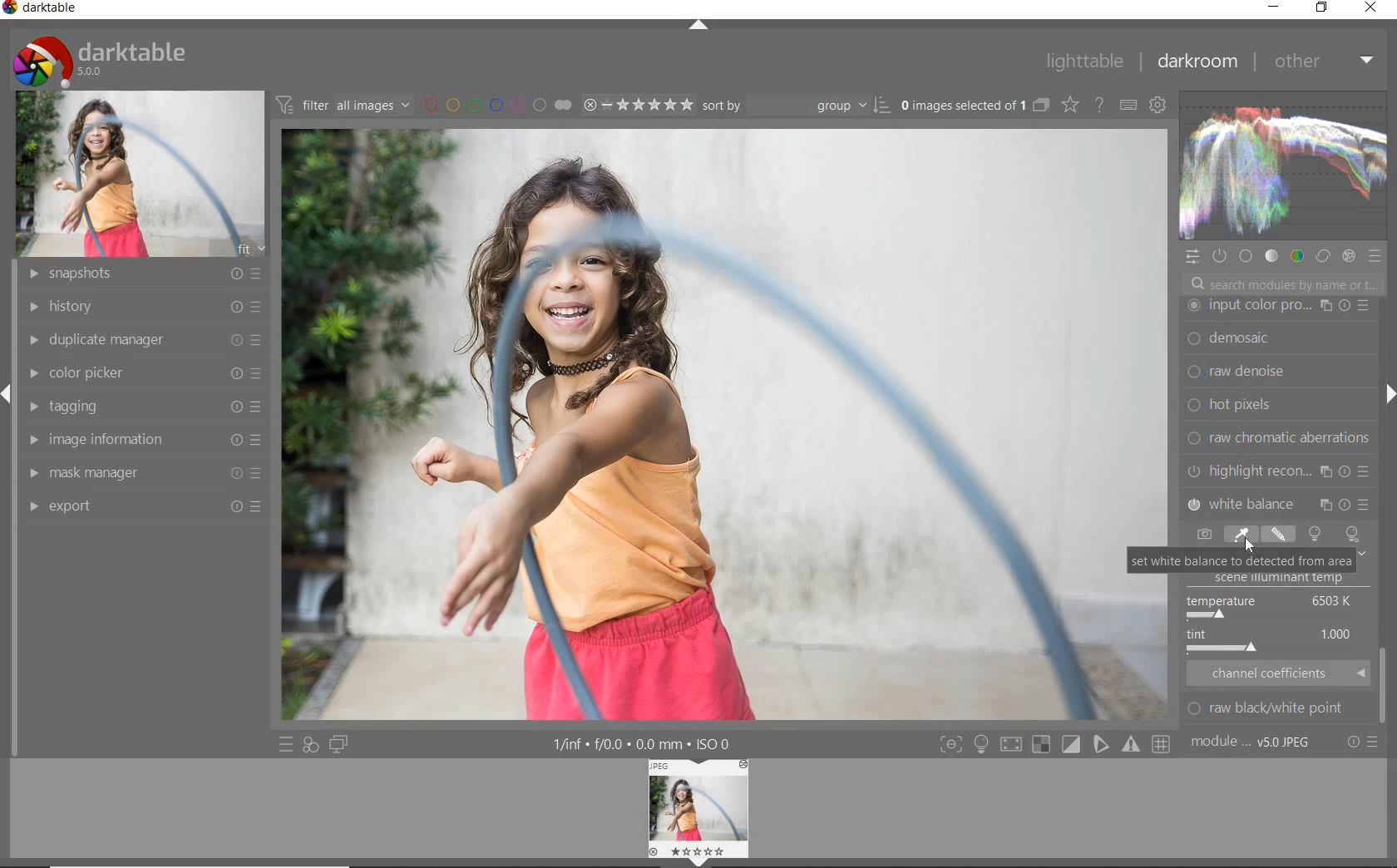  I want to click on export, so click(144, 506).